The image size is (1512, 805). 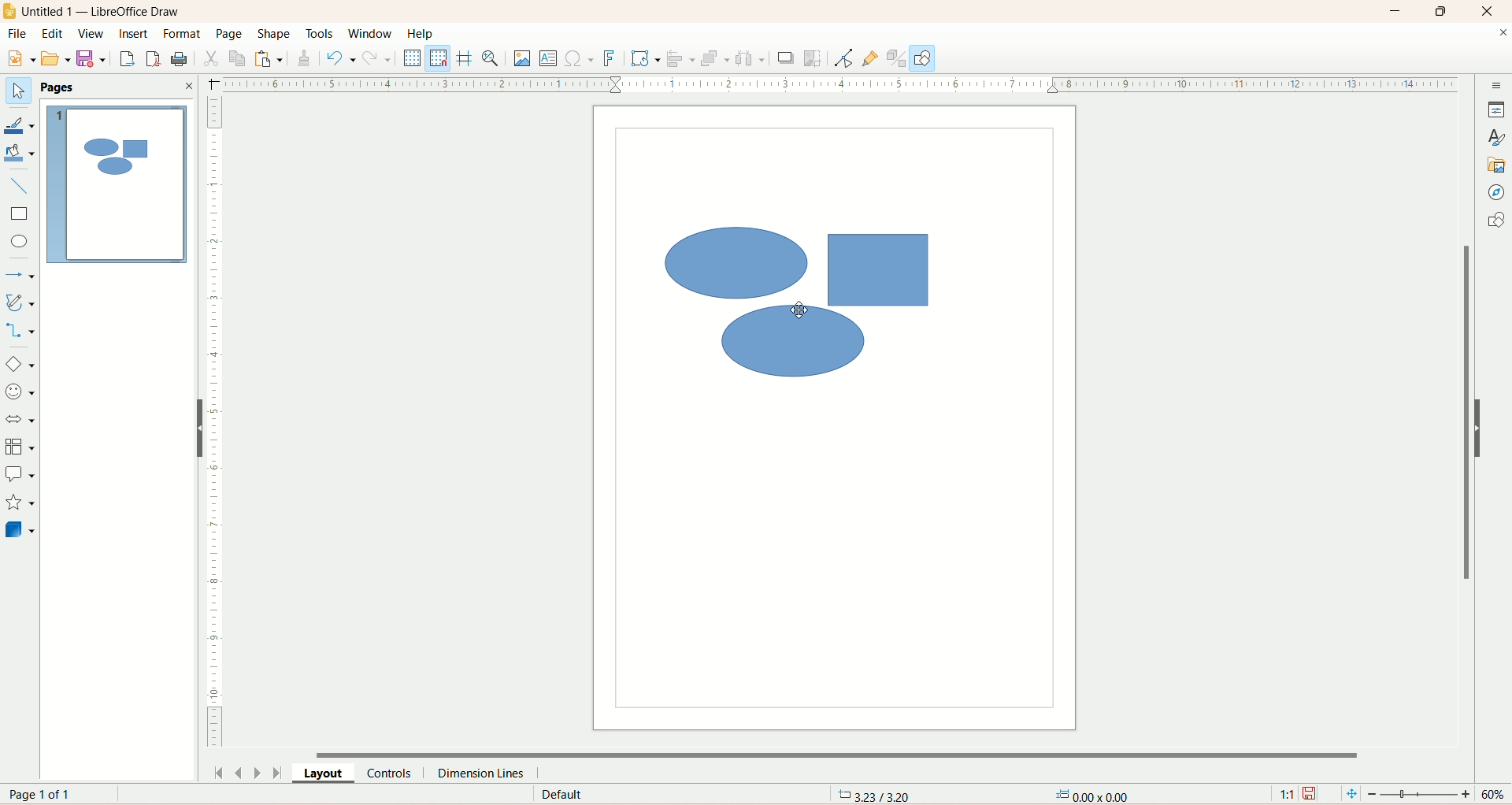 What do you see at coordinates (413, 58) in the screenshot?
I see `display grid` at bounding box center [413, 58].